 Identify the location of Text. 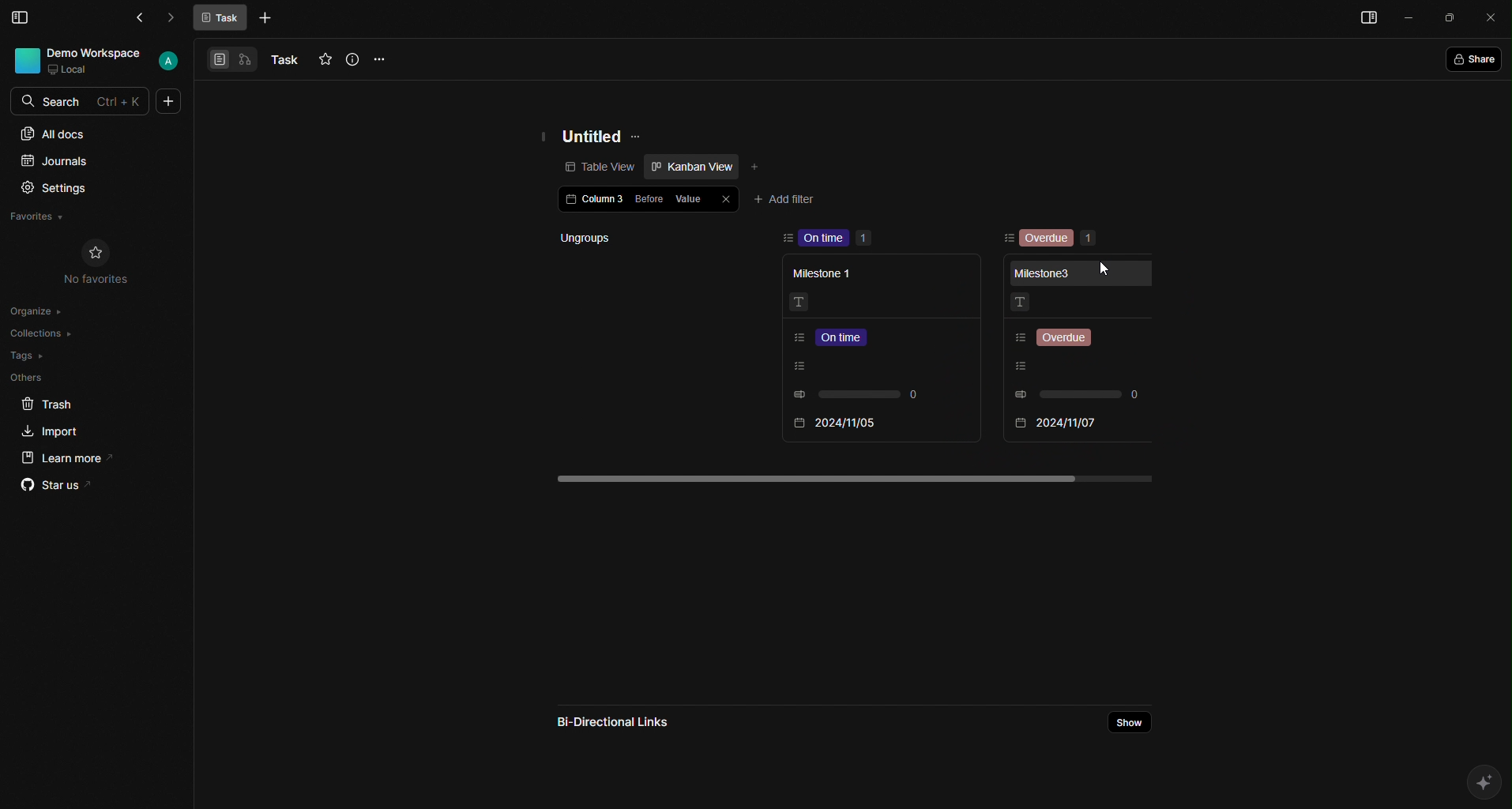
(799, 302).